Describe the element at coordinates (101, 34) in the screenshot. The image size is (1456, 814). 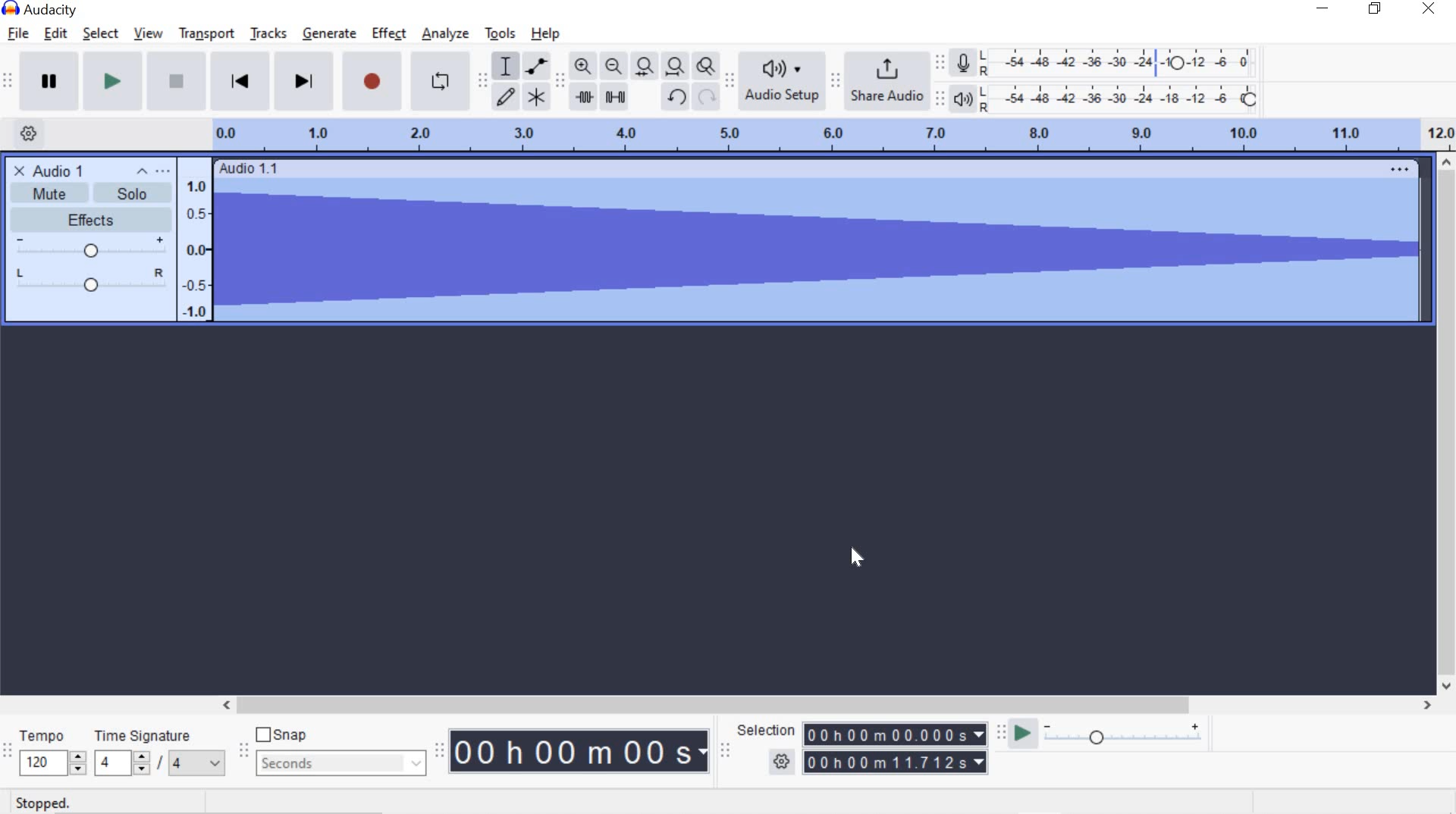
I see `select` at that location.